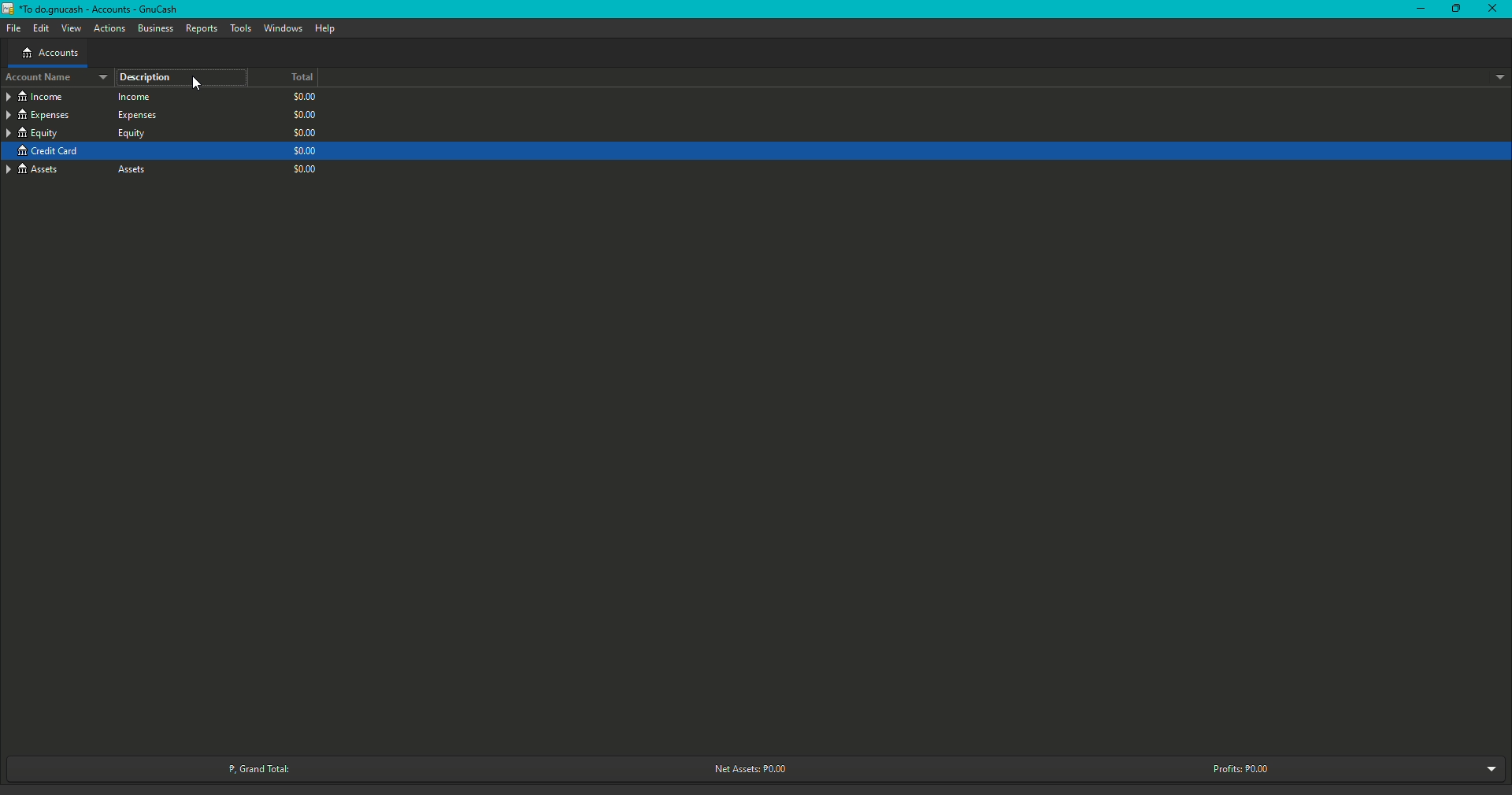 The height and width of the screenshot is (795, 1512). I want to click on Business, so click(153, 27).